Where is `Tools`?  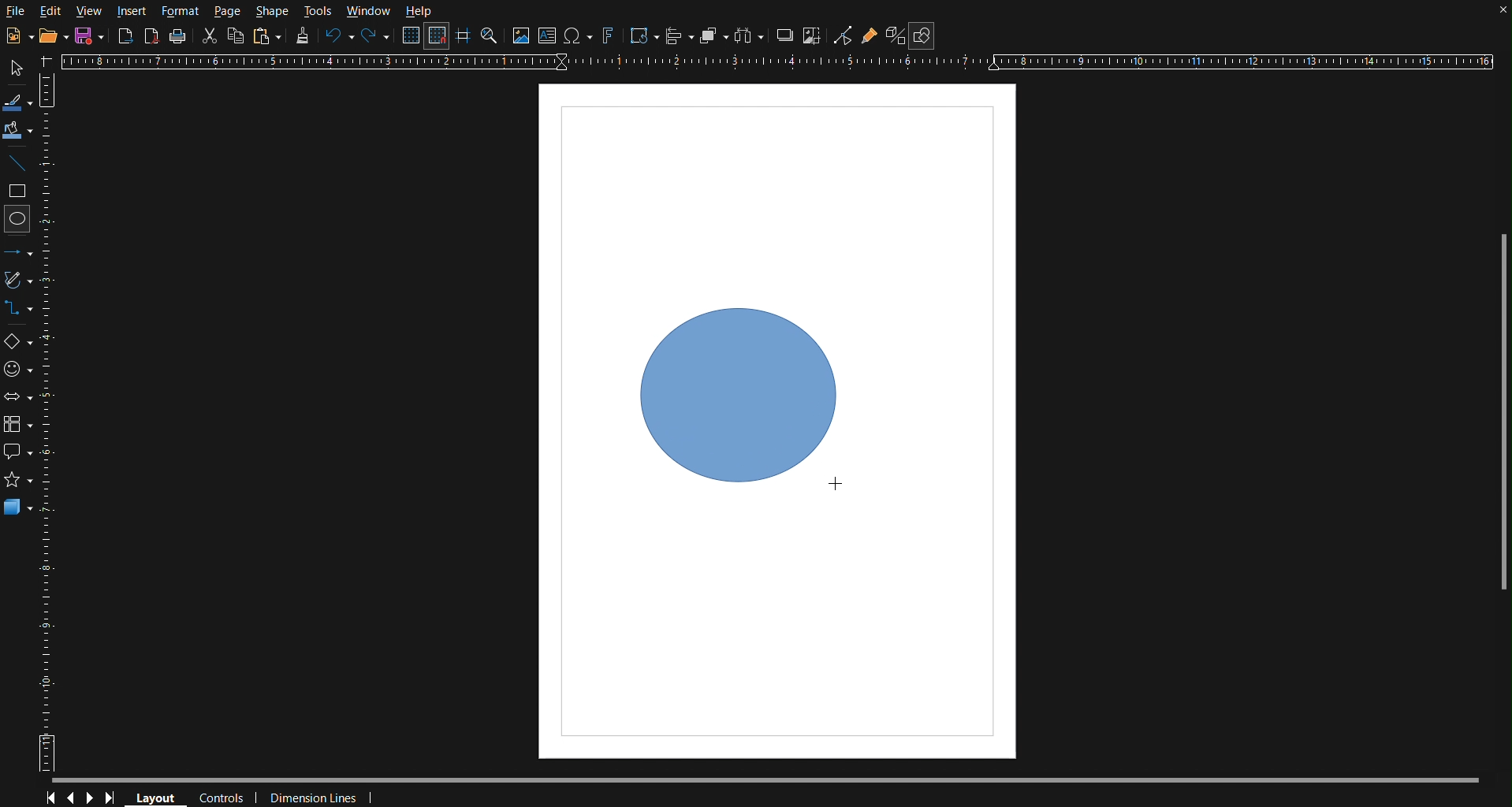
Tools is located at coordinates (319, 9).